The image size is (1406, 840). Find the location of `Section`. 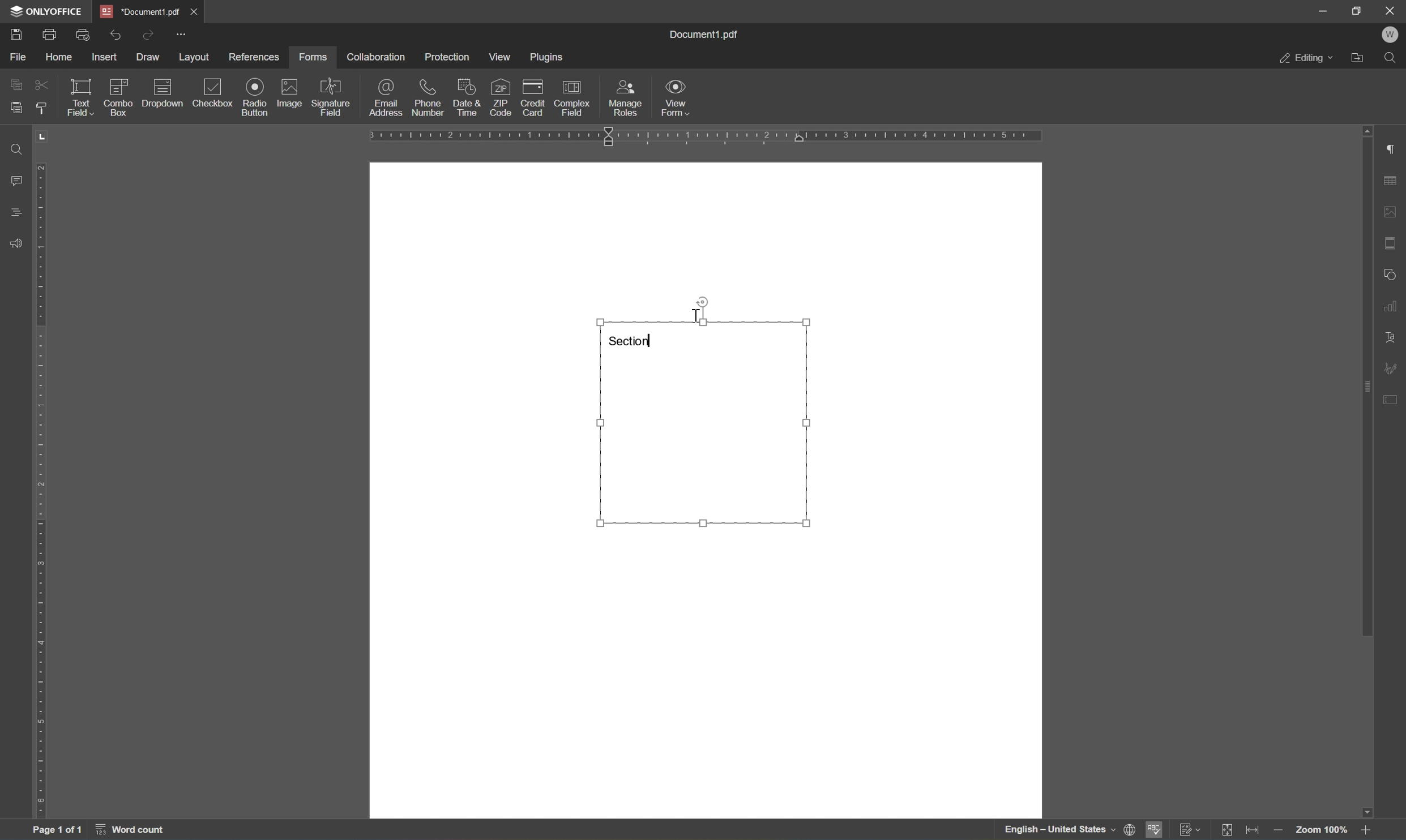

Section is located at coordinates (636, 339).